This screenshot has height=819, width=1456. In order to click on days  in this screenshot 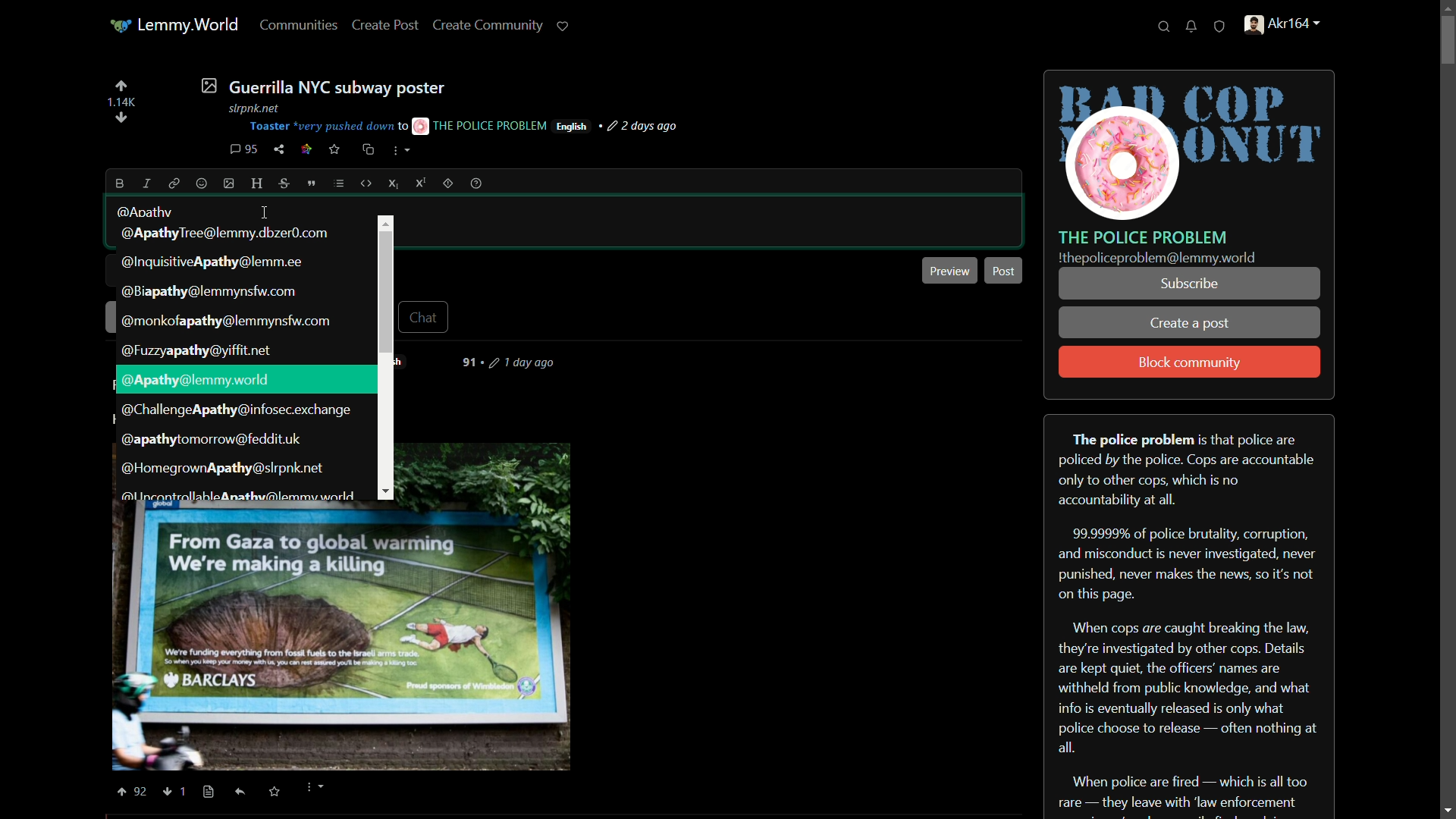, I will do `click(516, 362)`.